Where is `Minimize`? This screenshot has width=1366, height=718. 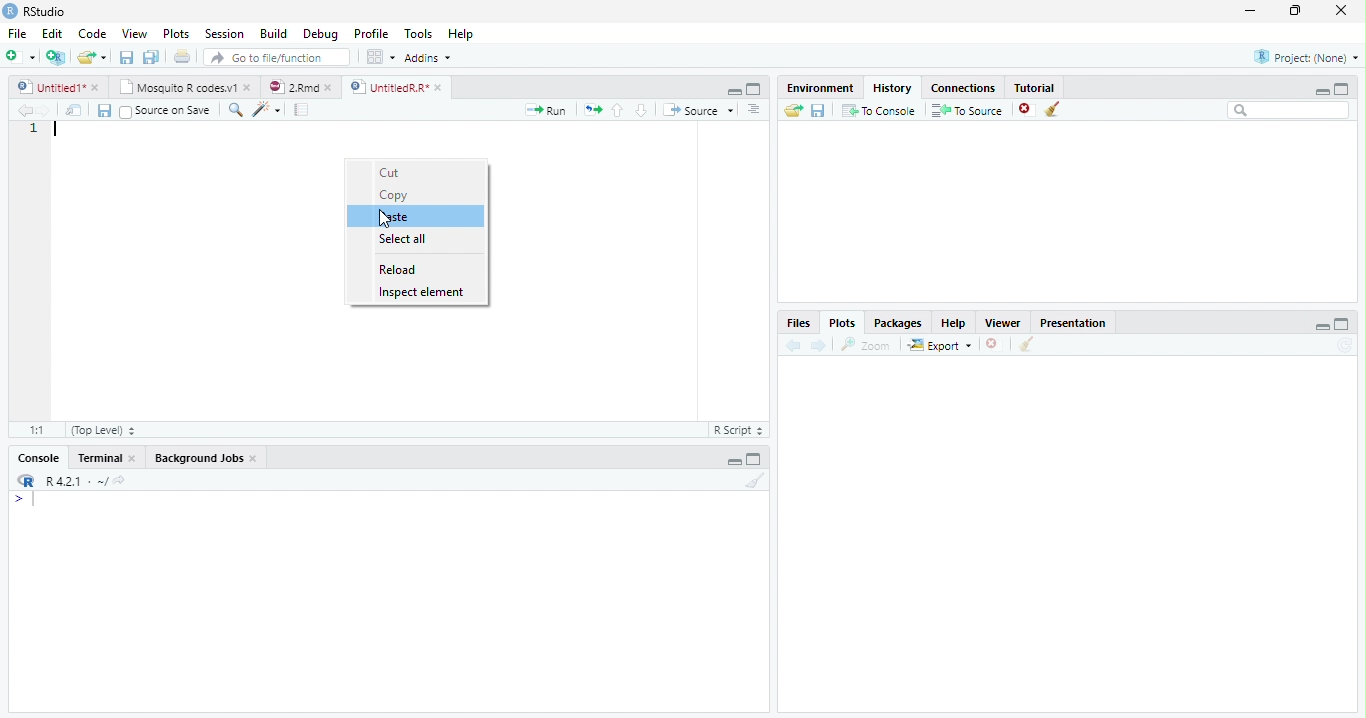 Minimize is located at coordinates (1318, 326).